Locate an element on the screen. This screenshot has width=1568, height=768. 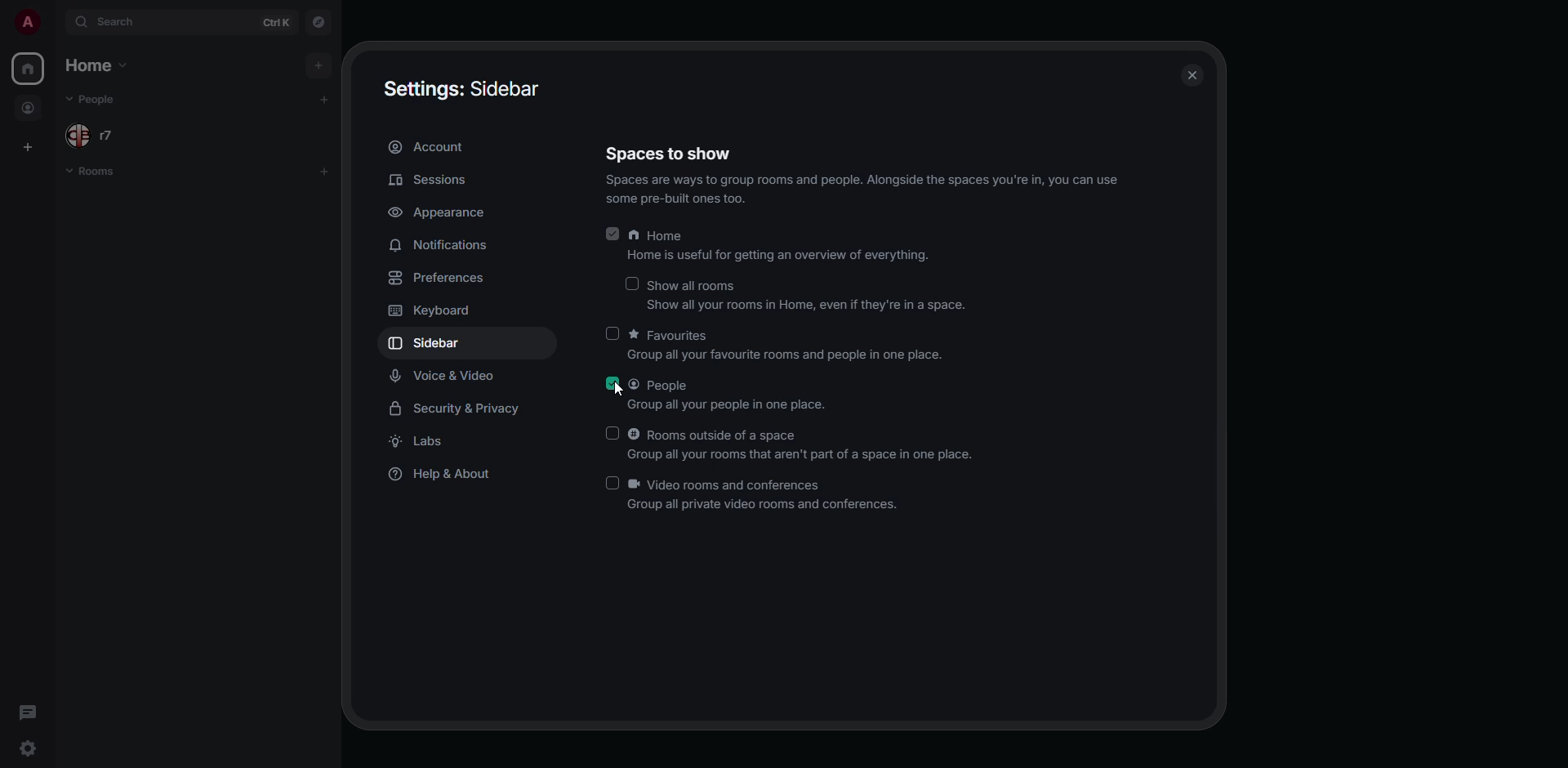
preferences is located at coordinates (434, 278).